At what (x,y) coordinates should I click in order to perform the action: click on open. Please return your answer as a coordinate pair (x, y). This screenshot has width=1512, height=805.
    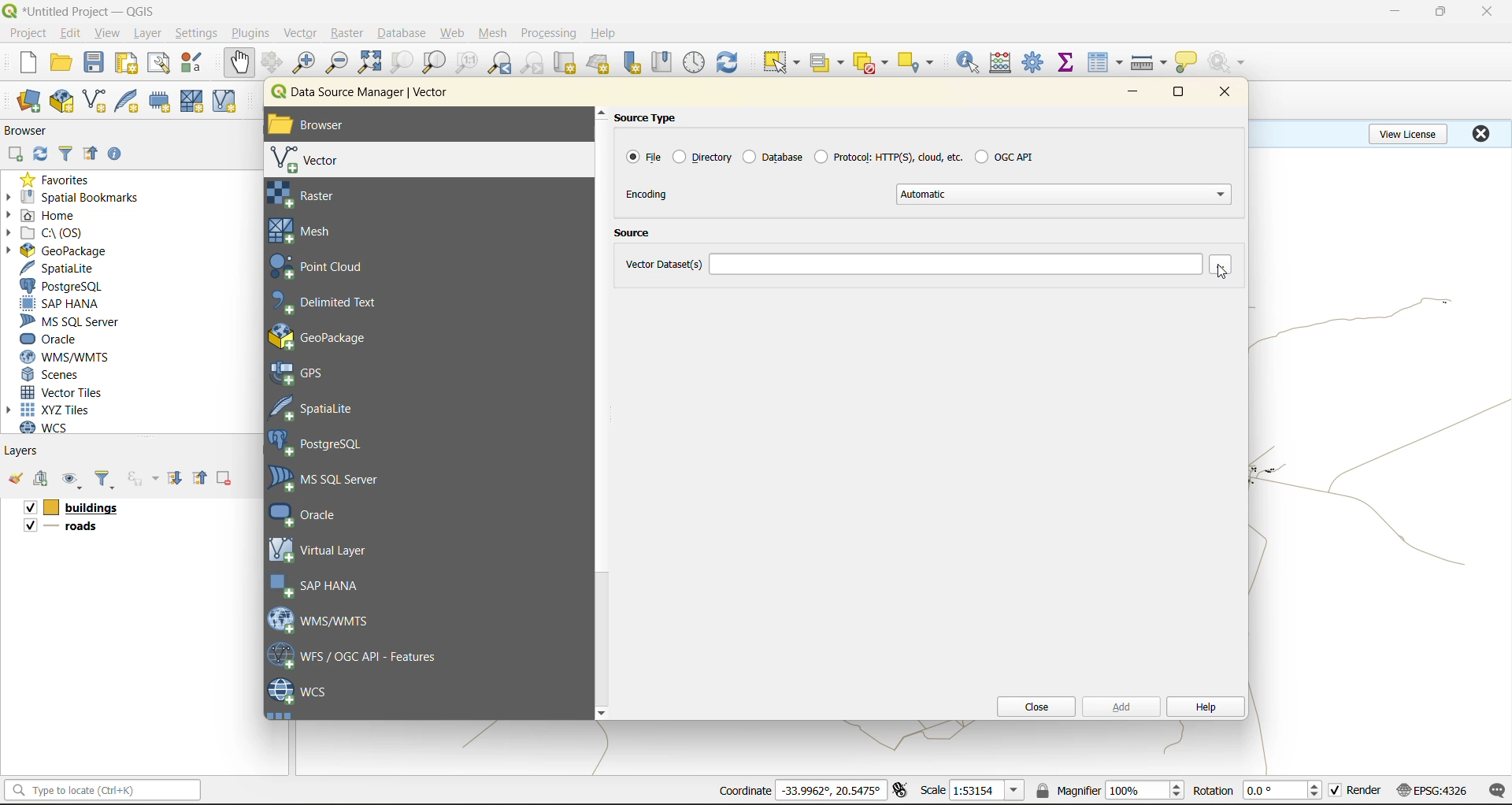
    Looking at the image, I should click on (15, 479).